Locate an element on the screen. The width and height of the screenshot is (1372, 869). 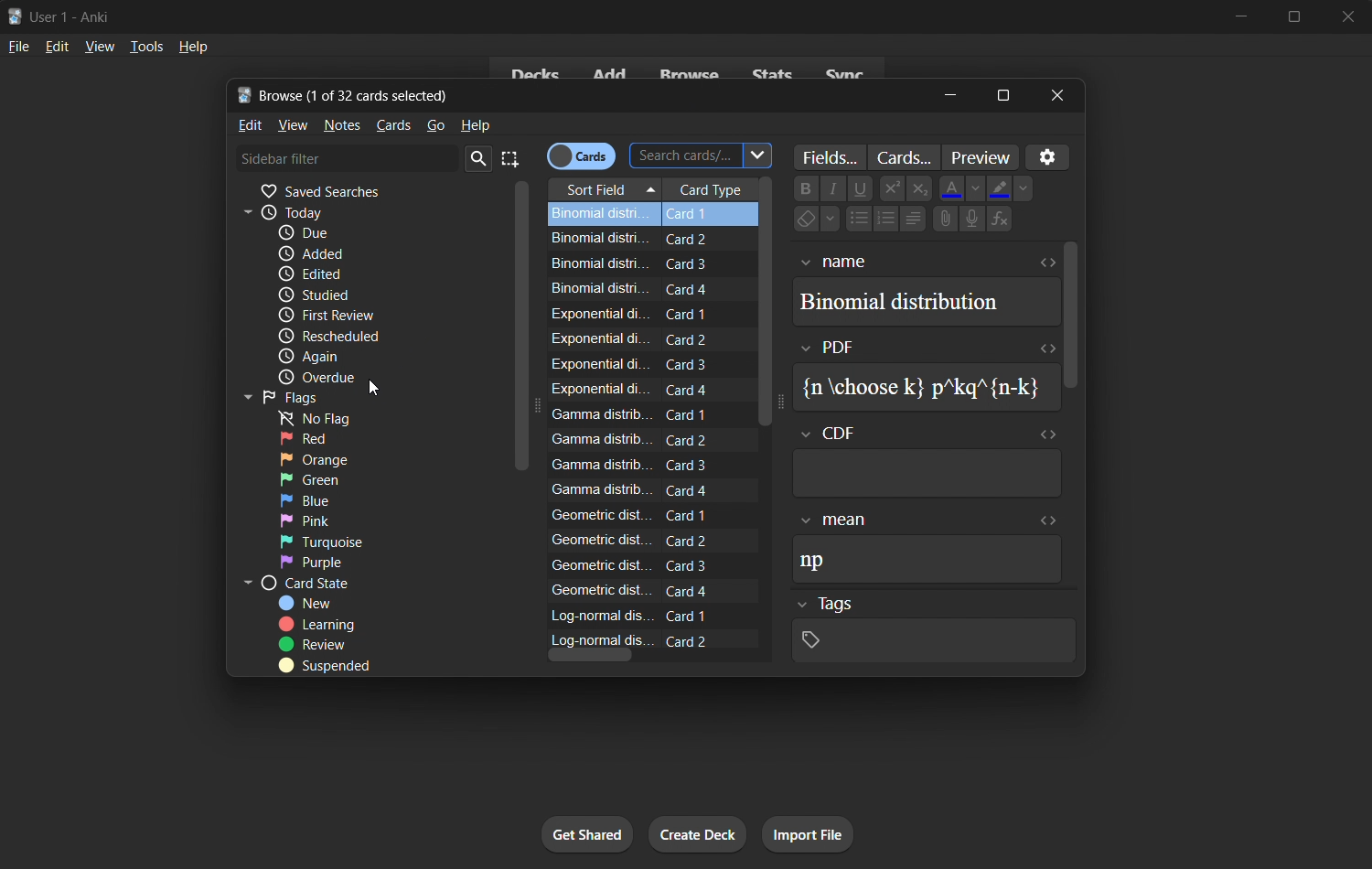
help is located at coordinates (192, 48).